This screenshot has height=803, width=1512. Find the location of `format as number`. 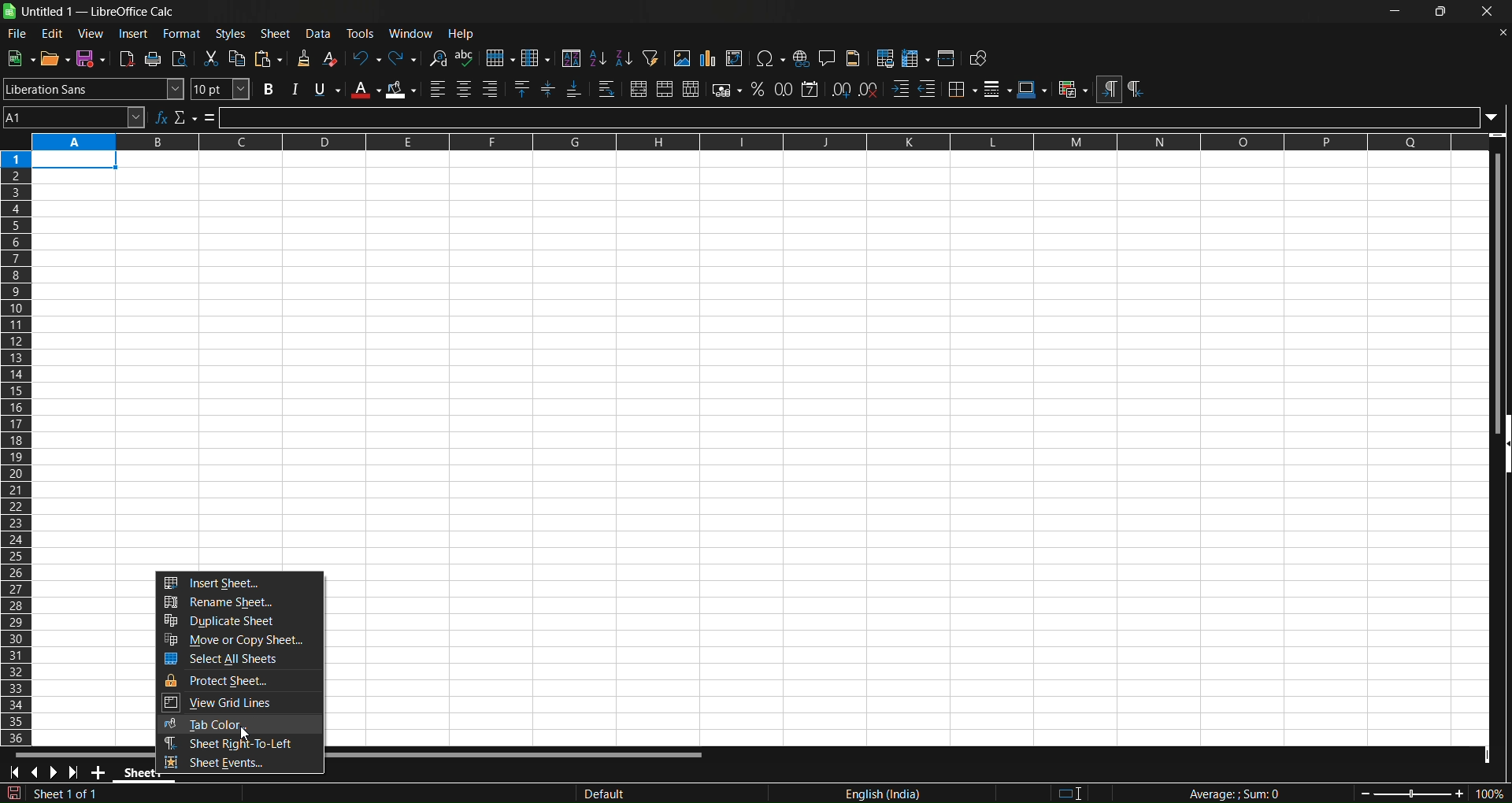

format as number is located at coordinates (785, 89).